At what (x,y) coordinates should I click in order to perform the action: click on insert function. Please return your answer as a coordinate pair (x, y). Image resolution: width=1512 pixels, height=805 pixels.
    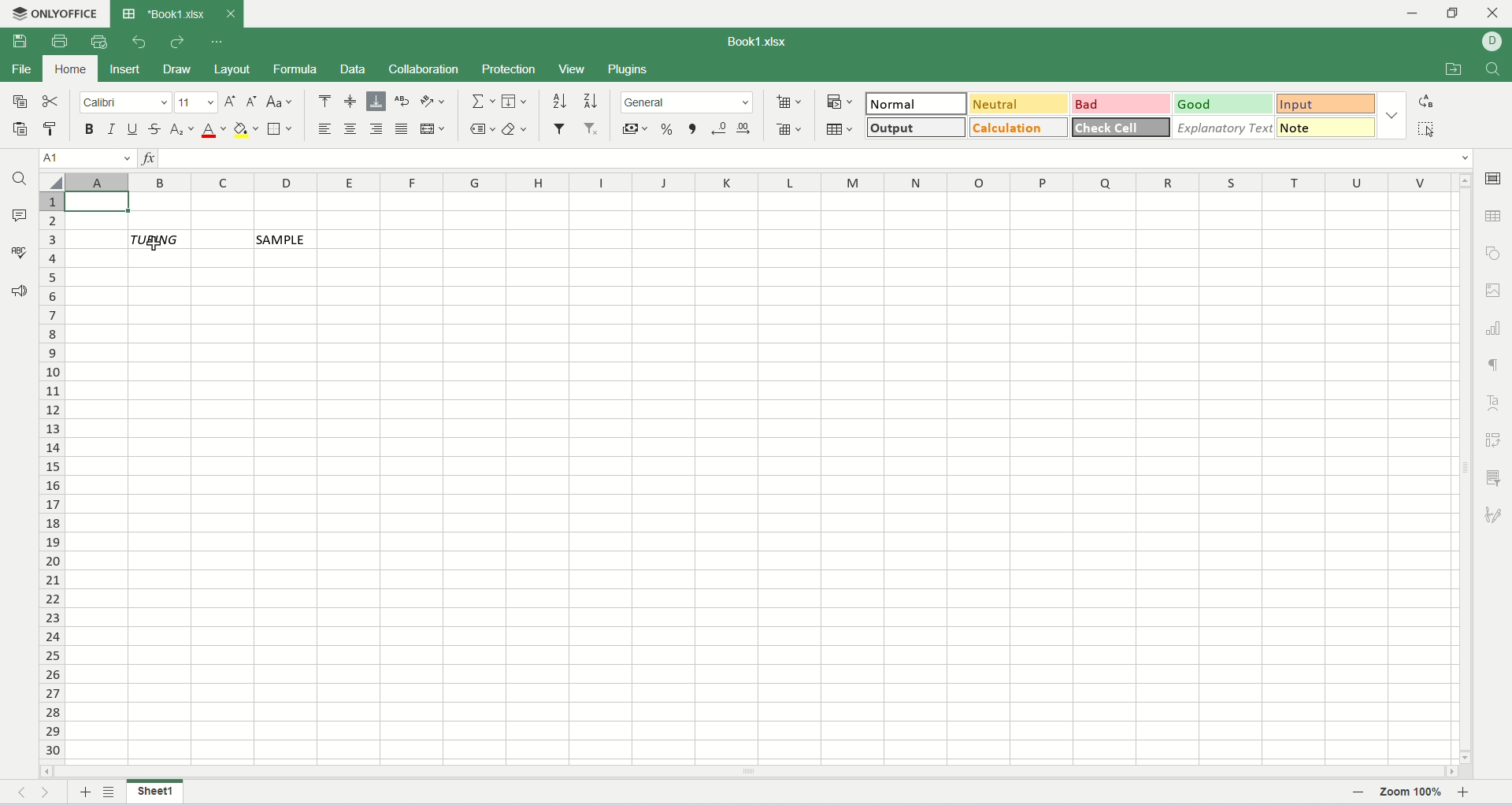
    Looking at the image, I should click on (149, 157).